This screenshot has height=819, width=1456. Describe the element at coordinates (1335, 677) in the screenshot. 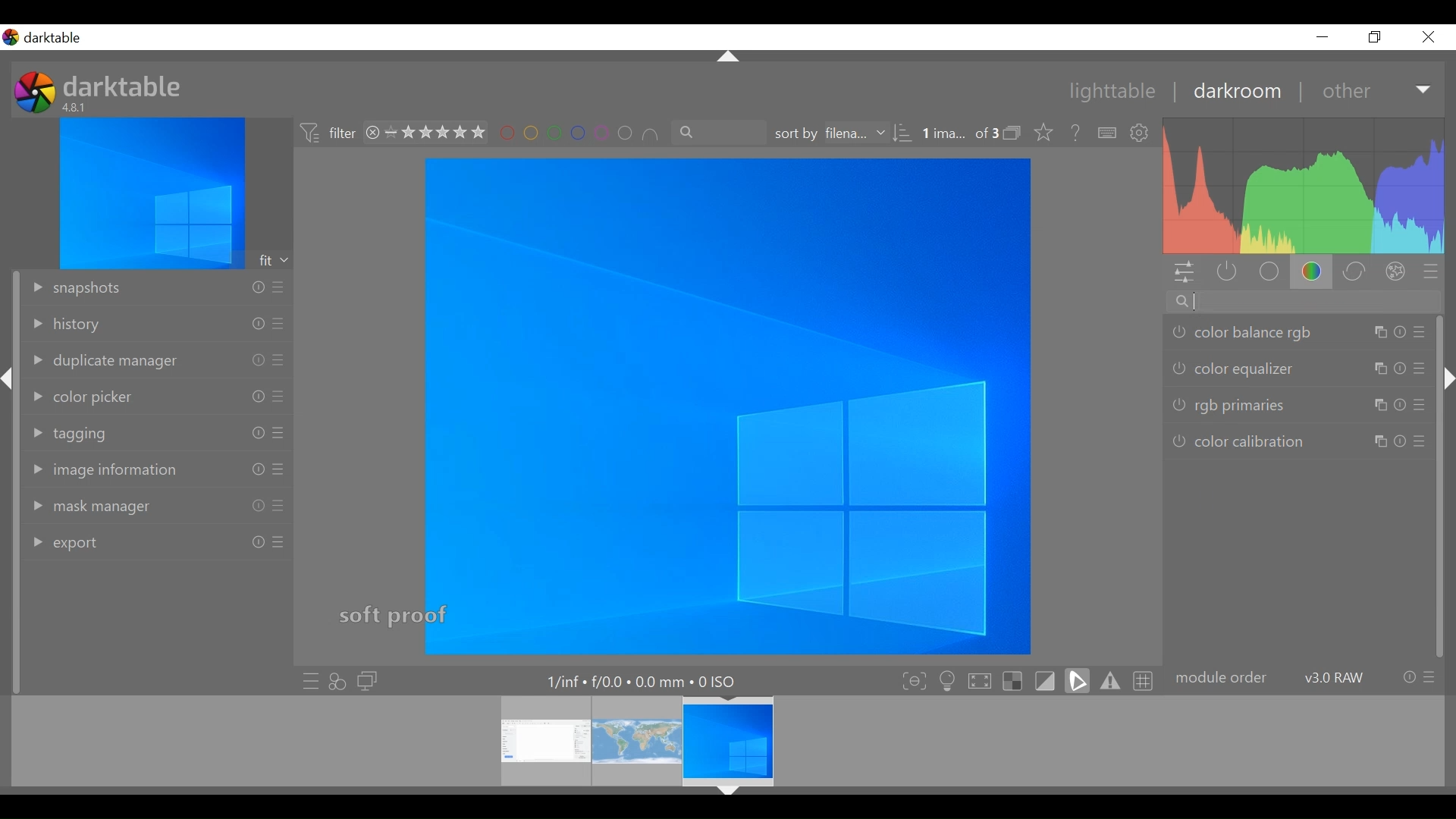

I see `version` at that location.